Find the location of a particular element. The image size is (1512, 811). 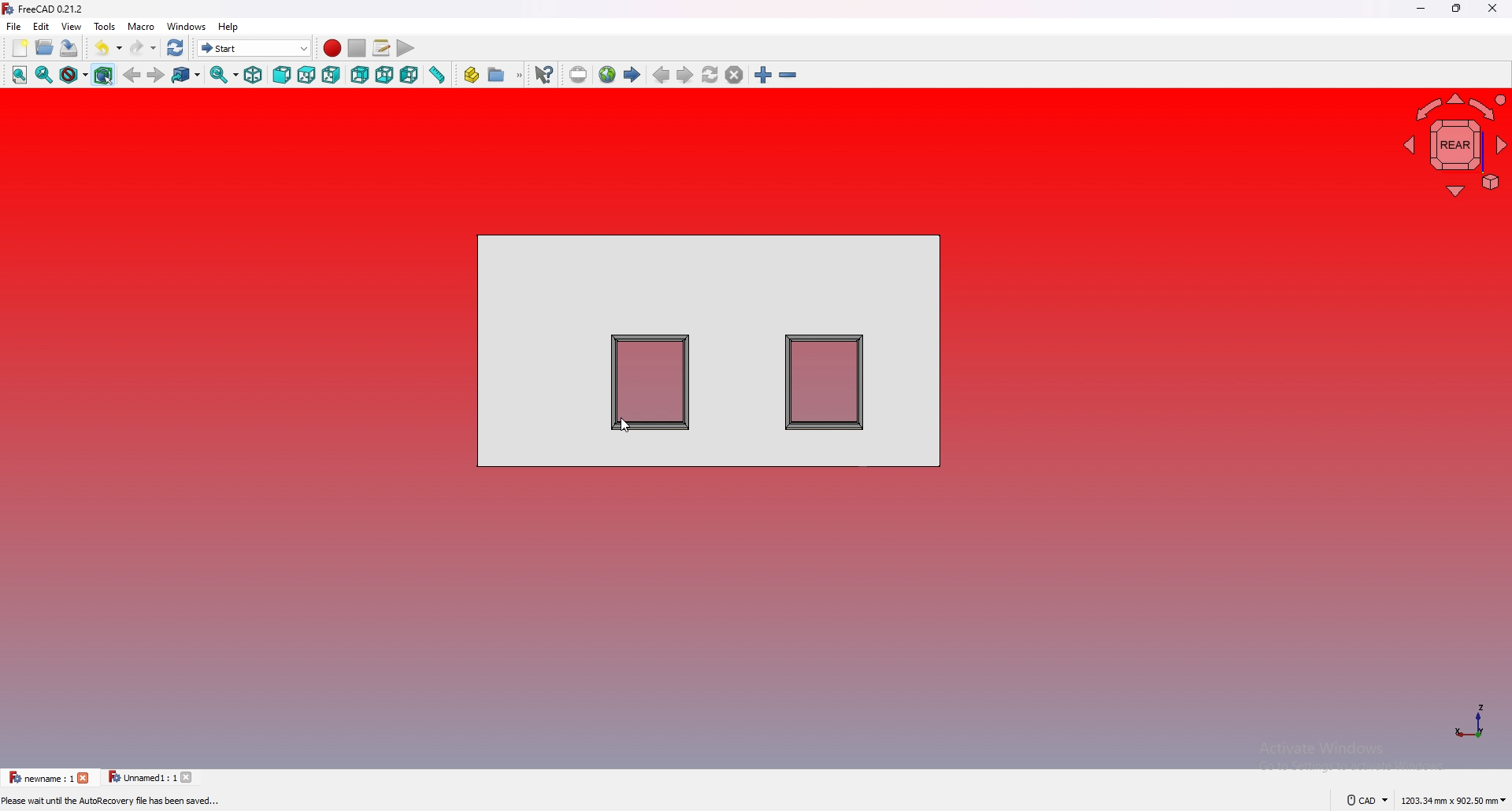

FreeCAD 0.21.2 is located at coordinates (52, 9).